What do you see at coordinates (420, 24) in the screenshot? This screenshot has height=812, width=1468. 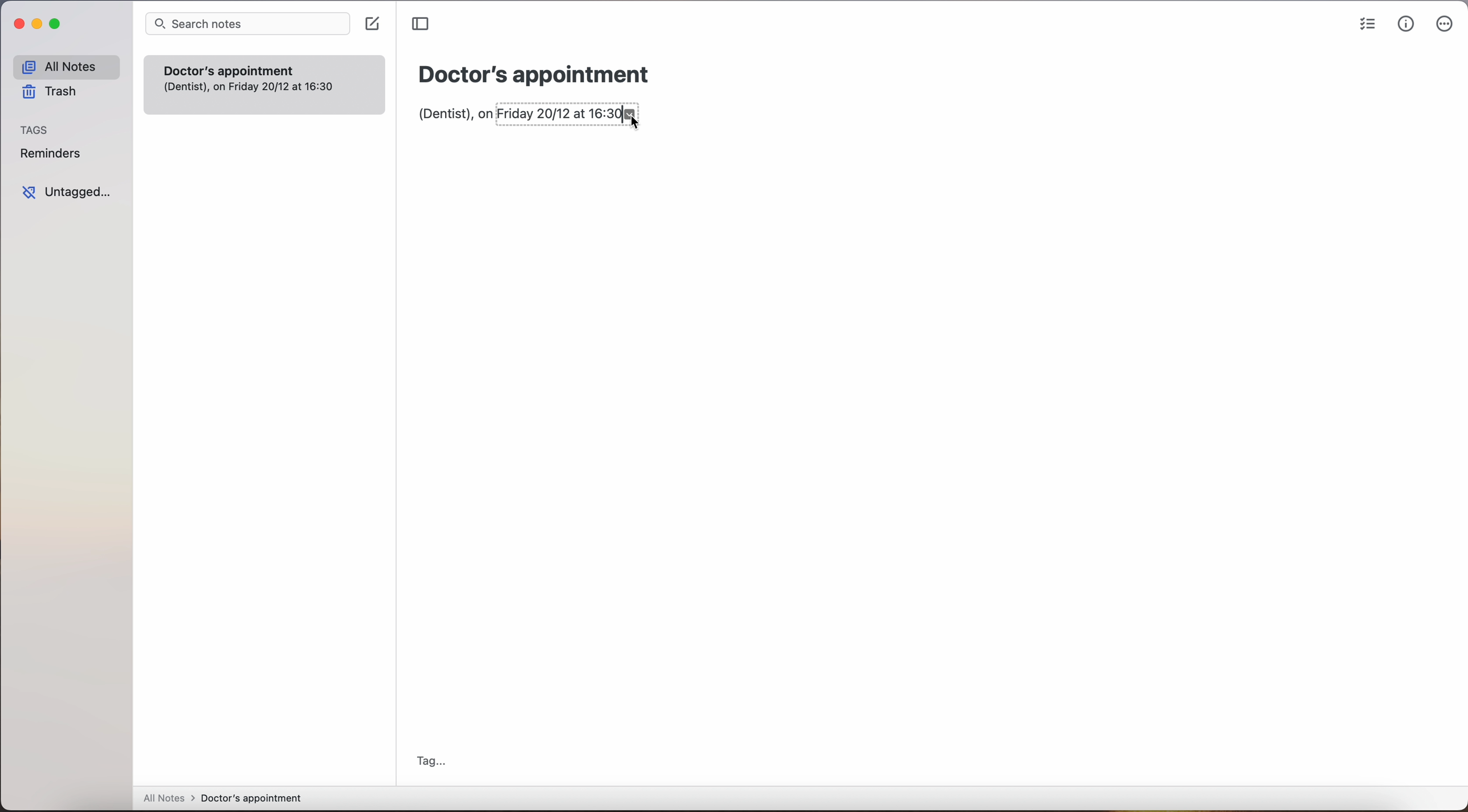 I see `toggle sidebar` at bounding box center [420, 24].